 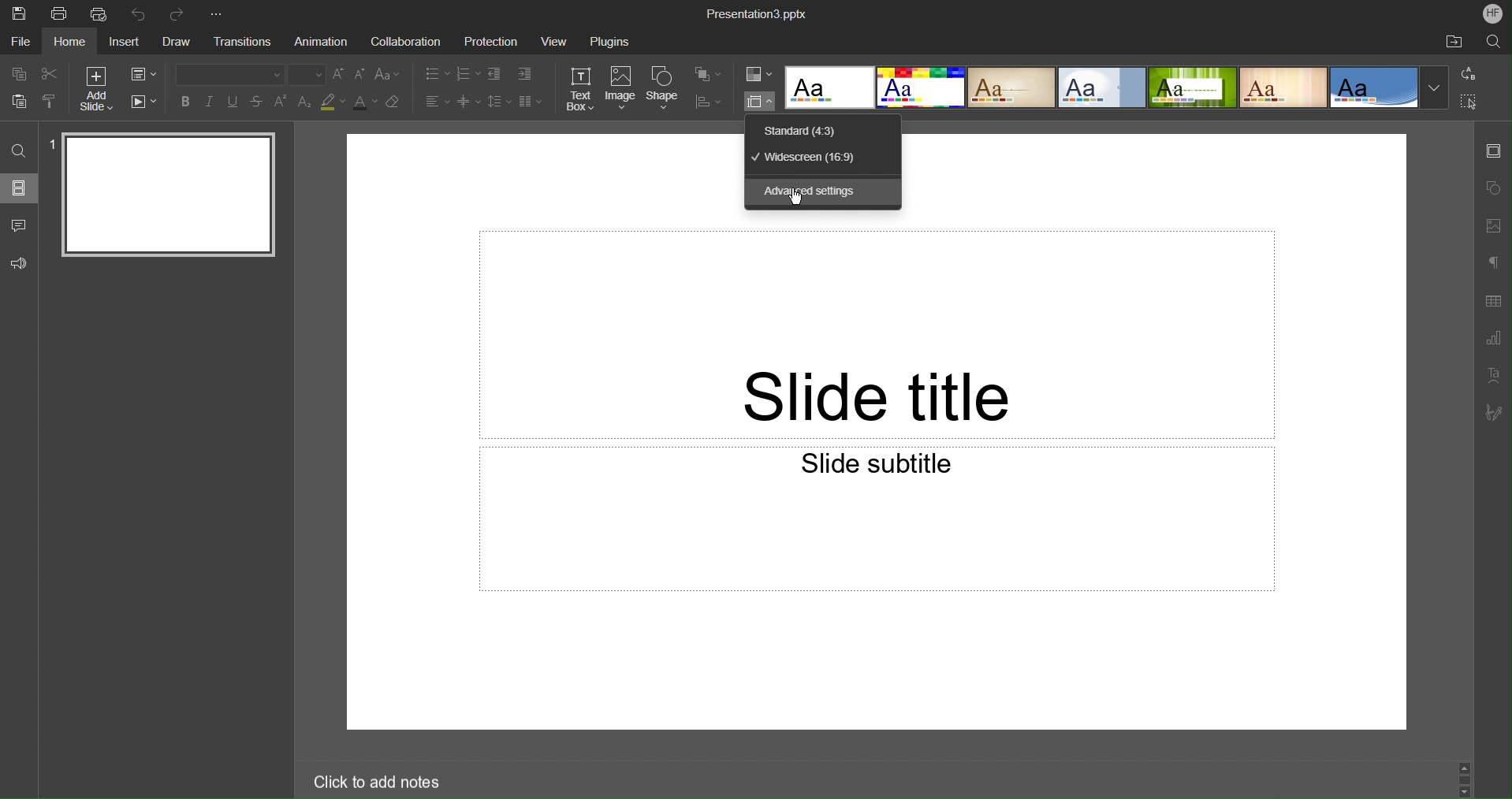 What do you see at coordinates (164, 196) in the screenshot?
I see `Slide 1` at bounding box center [164, 196].